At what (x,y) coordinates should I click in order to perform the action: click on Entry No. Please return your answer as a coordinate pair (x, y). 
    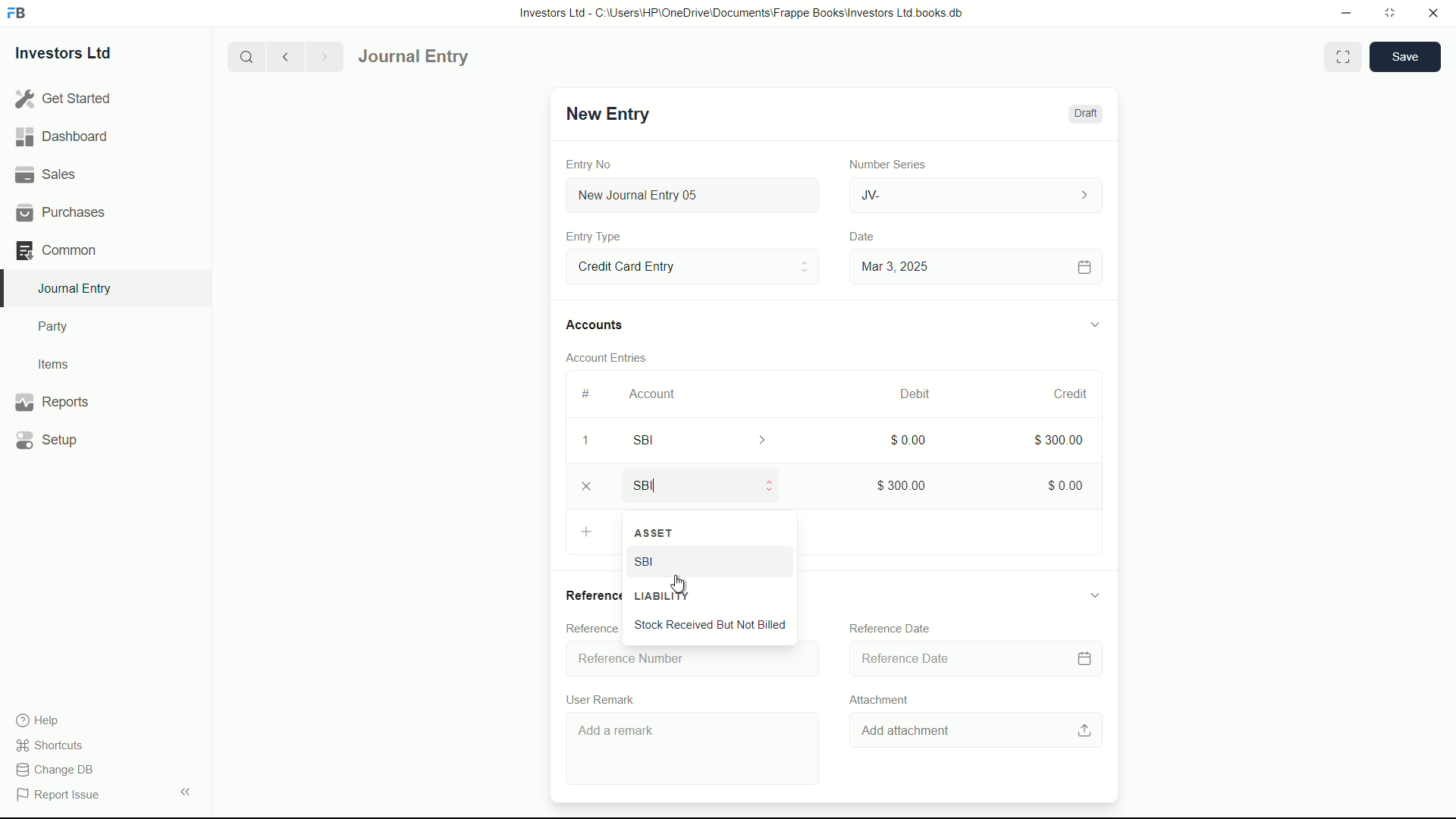
    Looking at the image, I should click on (591, 162).